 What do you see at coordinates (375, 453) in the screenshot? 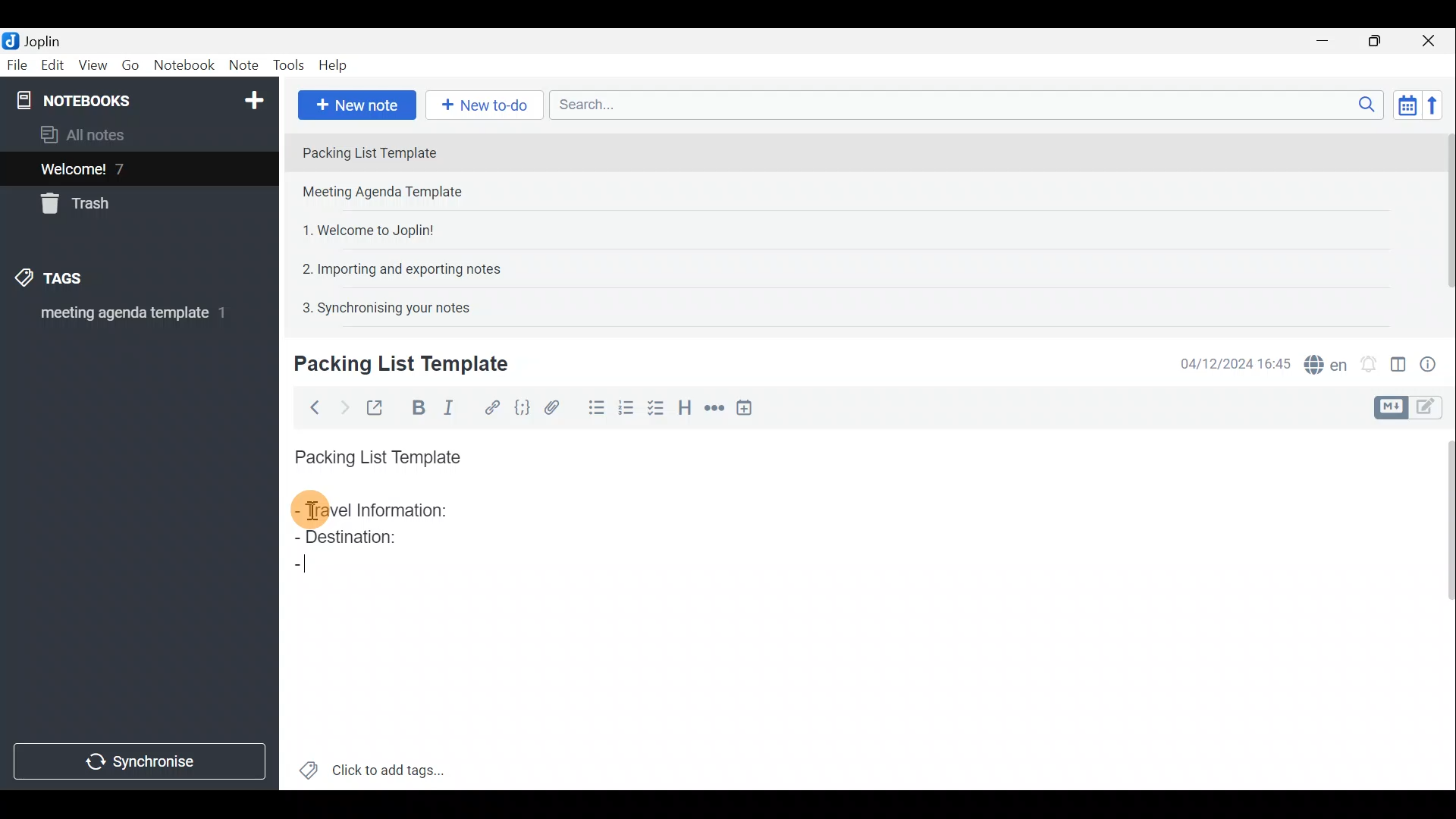
I see `Packing List Template` at bounding box center [375, 453].